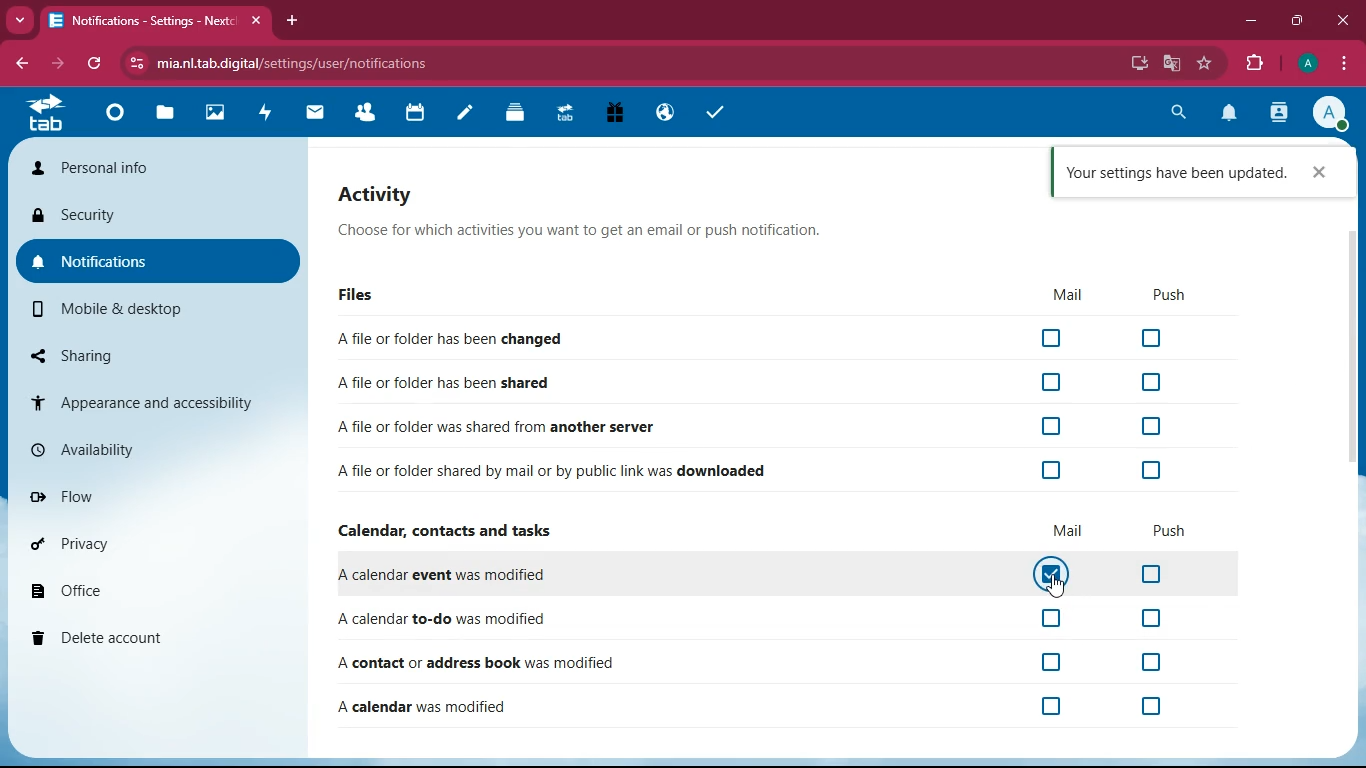  I want to click on A file or folder has been changed, so click(759, 338).